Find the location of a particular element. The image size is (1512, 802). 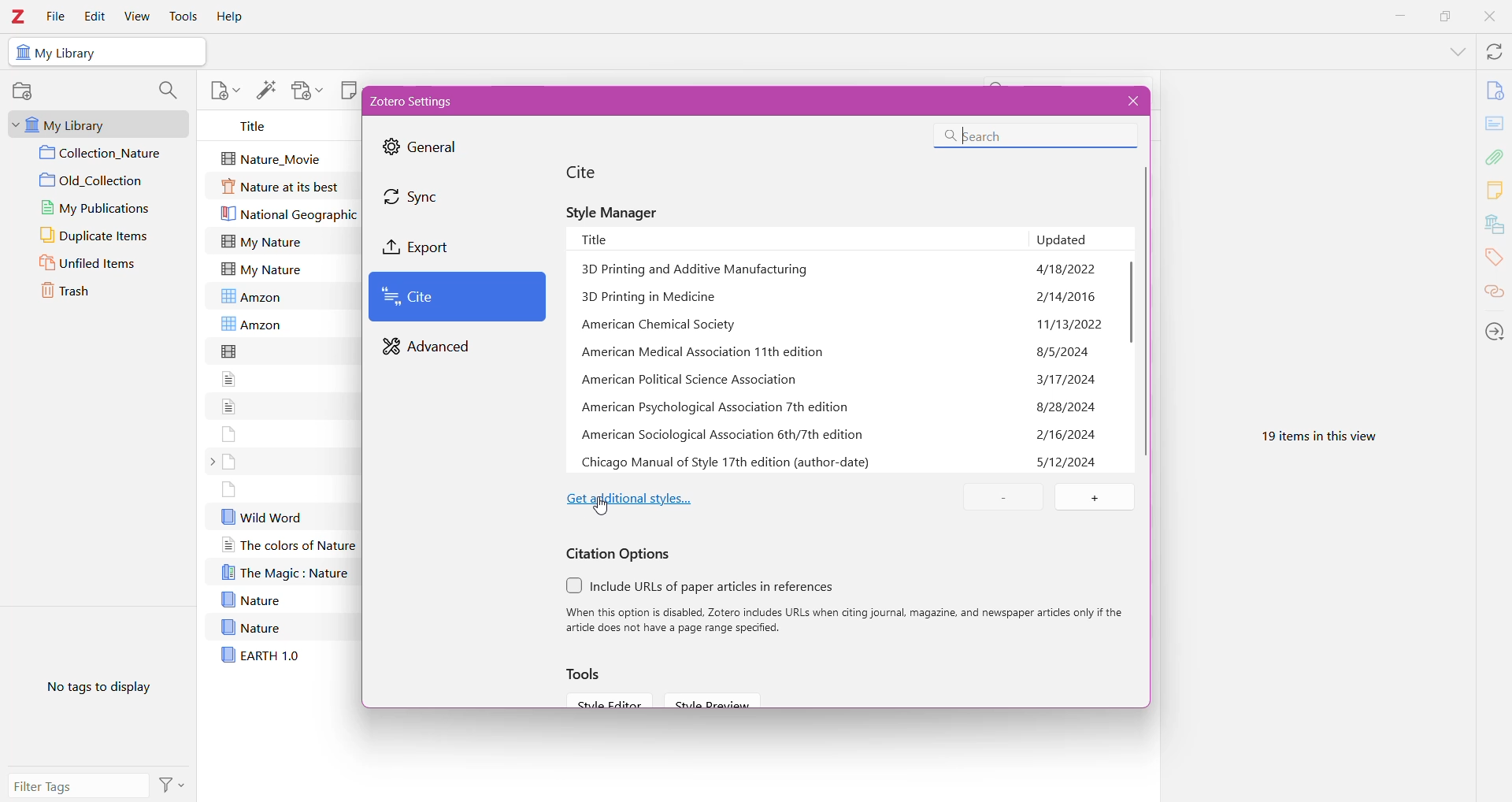

Export is located at coordinates (435, 247).